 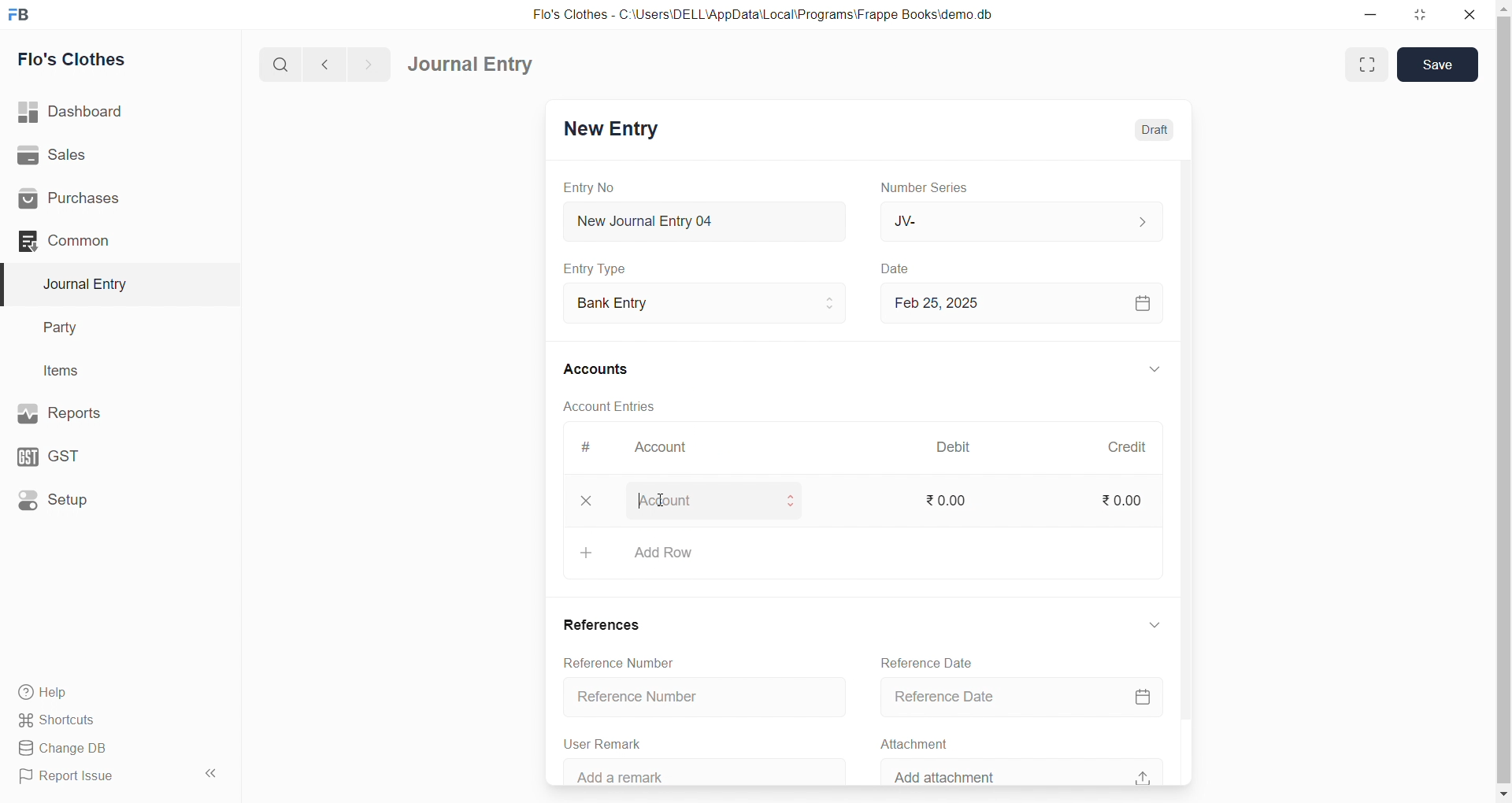 What do you see at coordinates (616, 405) in the screenshot?
I see `Account Entries` at bounding box center [616, 405].